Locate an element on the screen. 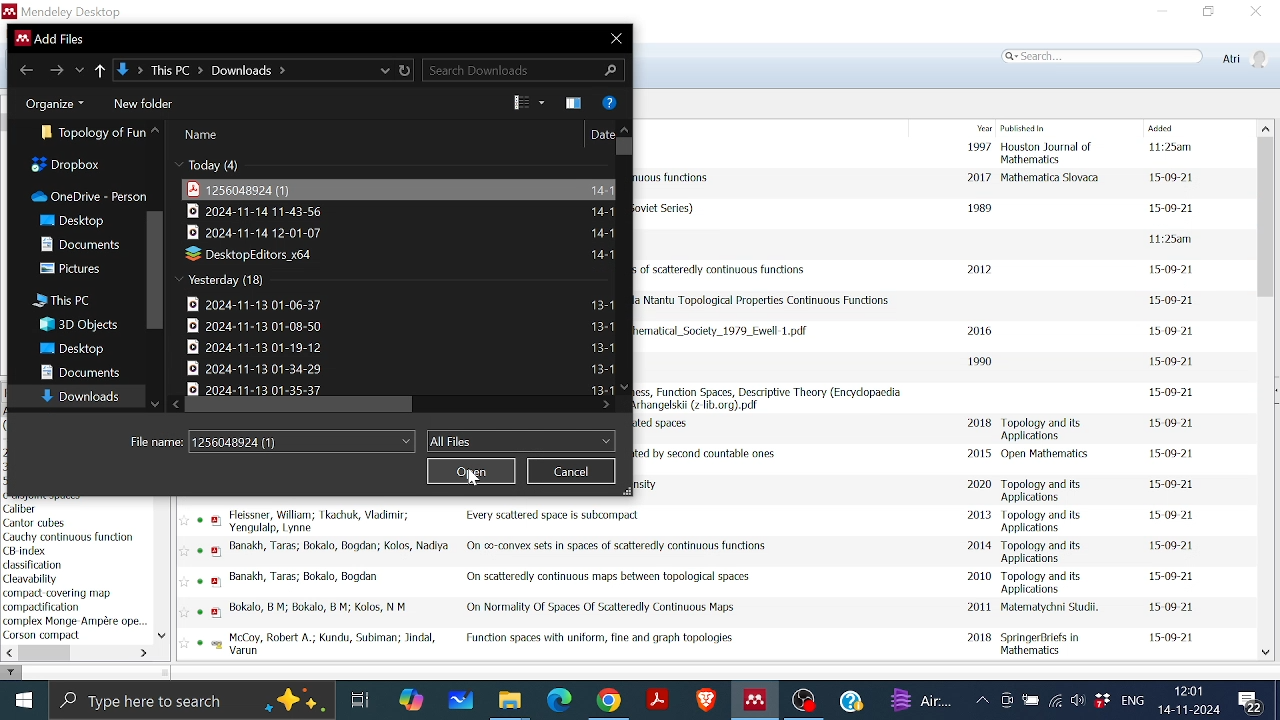 This screenshot has height=720, width=1280. date is located at coordinates (1170, 485).